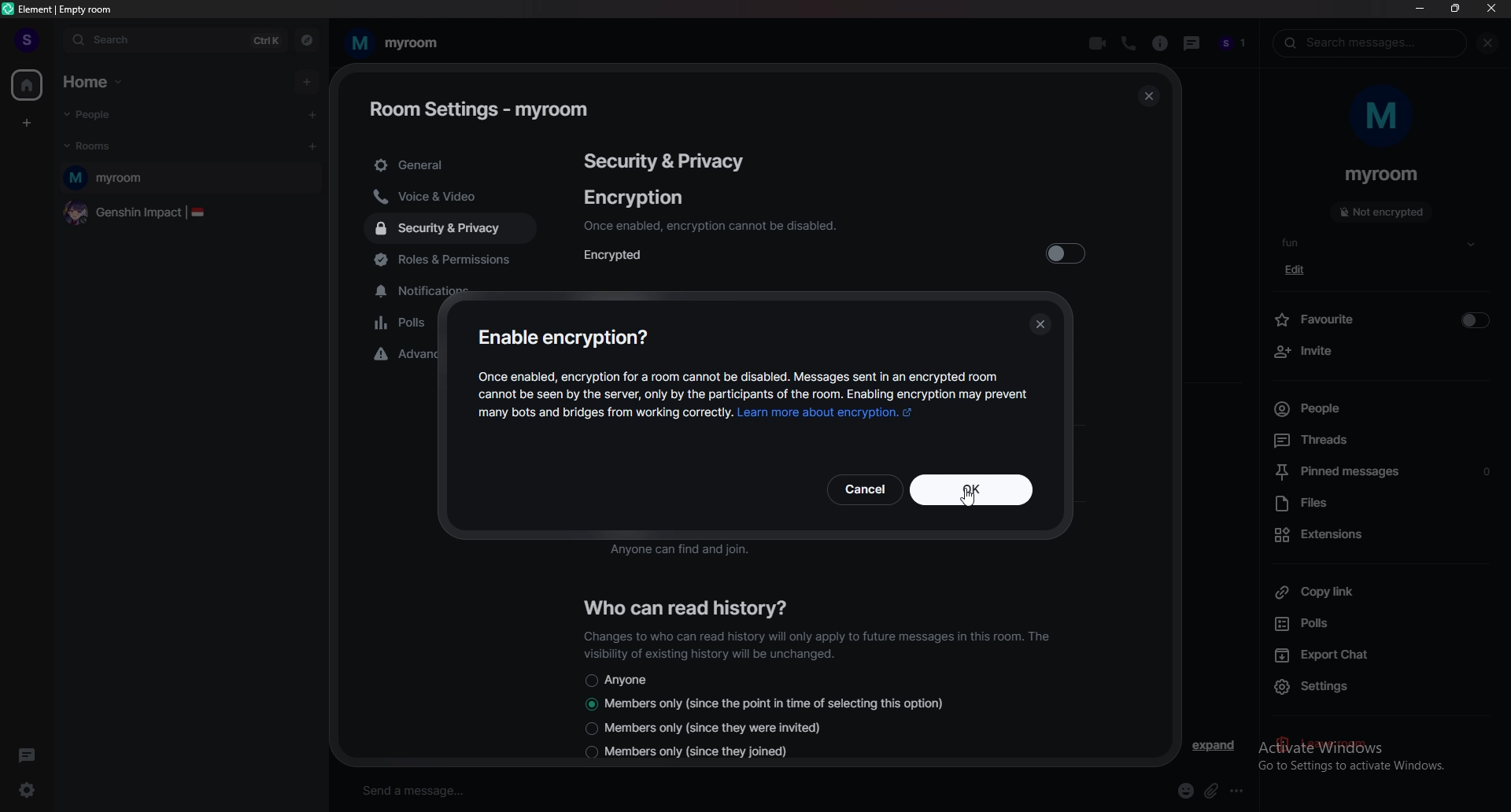 The height and width of the screenshot is (812, 1511). Describe the element at coordinates (666, 160) in the screenshot. I see `security & privacy` at that location.